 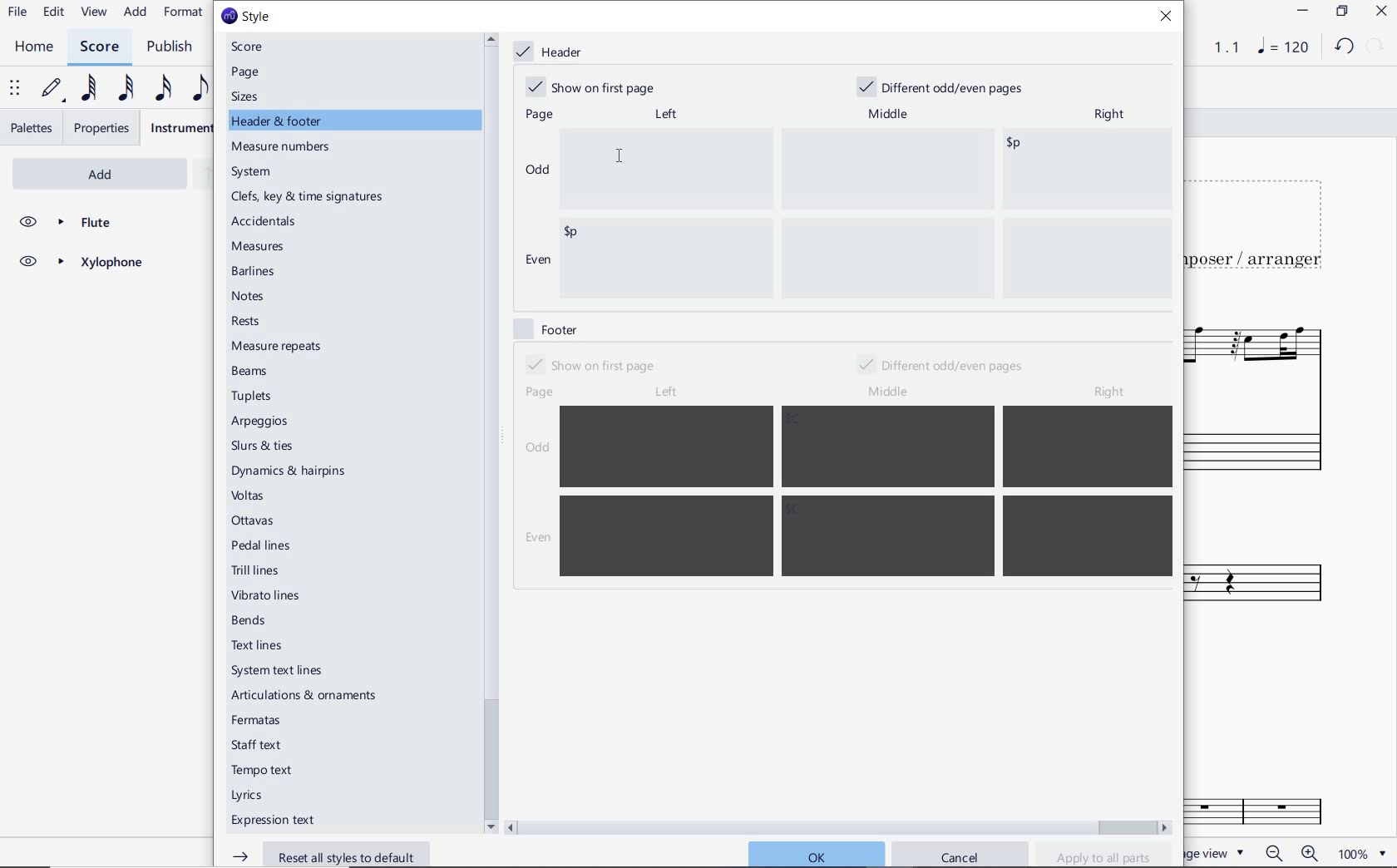 I want to click on system text lines, so click(x=279, y=670).